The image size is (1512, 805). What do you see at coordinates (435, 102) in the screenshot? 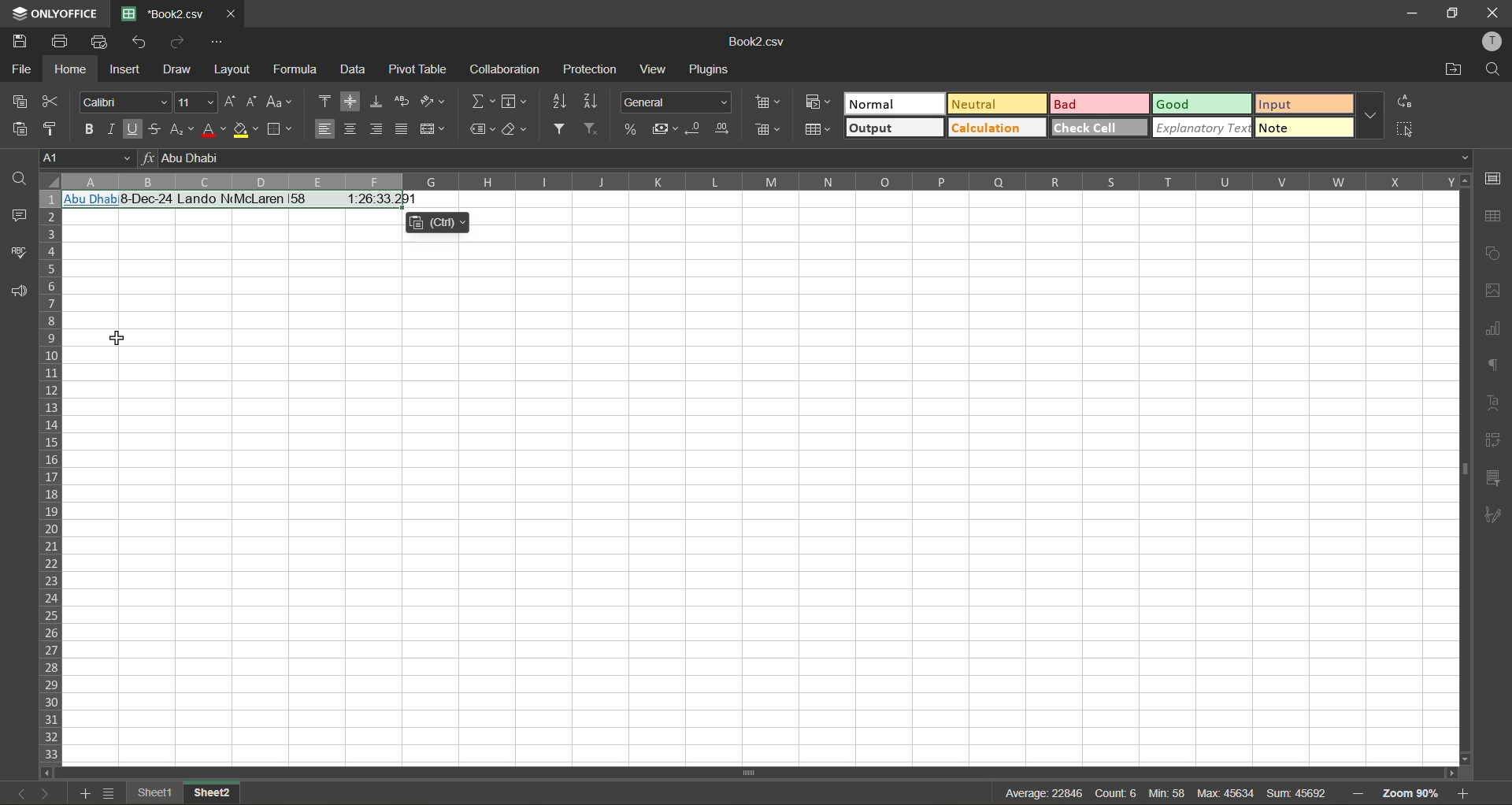
I see `orientation` at bounding box center [435, 102].